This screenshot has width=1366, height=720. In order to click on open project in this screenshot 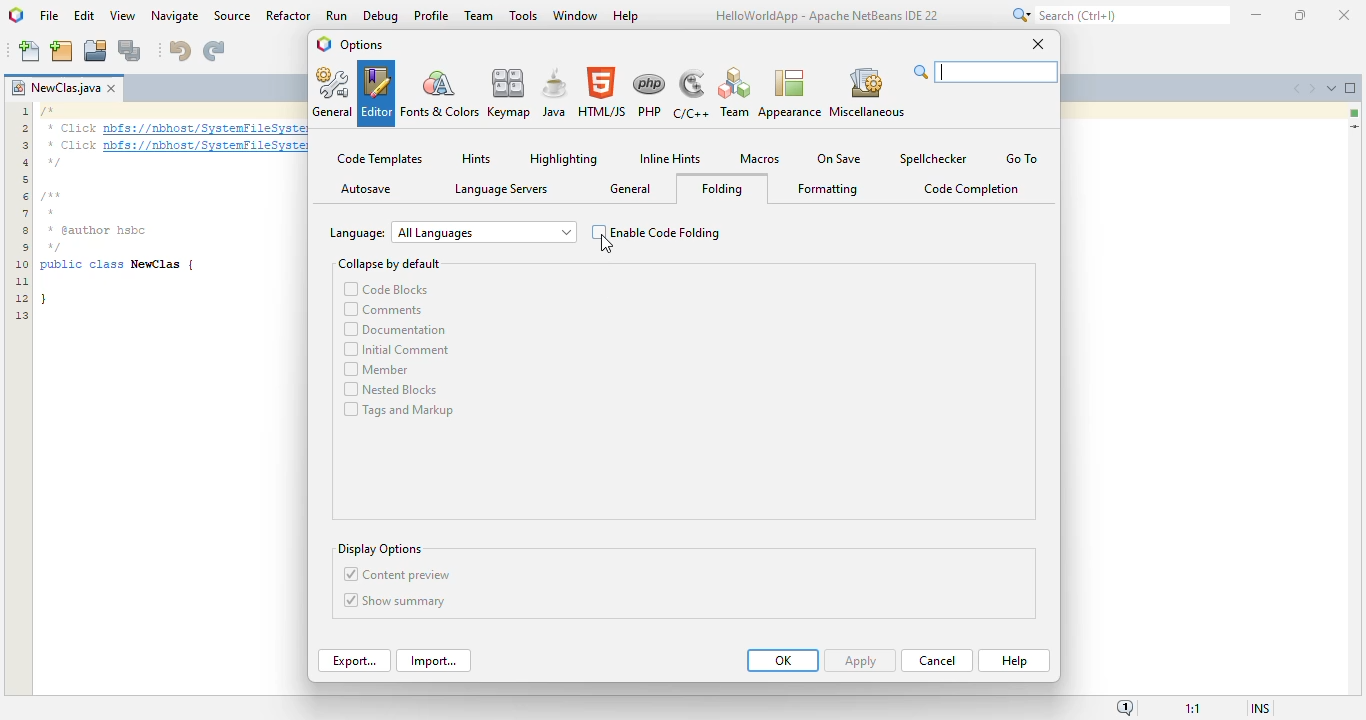, I will do `click(95, 49)`.